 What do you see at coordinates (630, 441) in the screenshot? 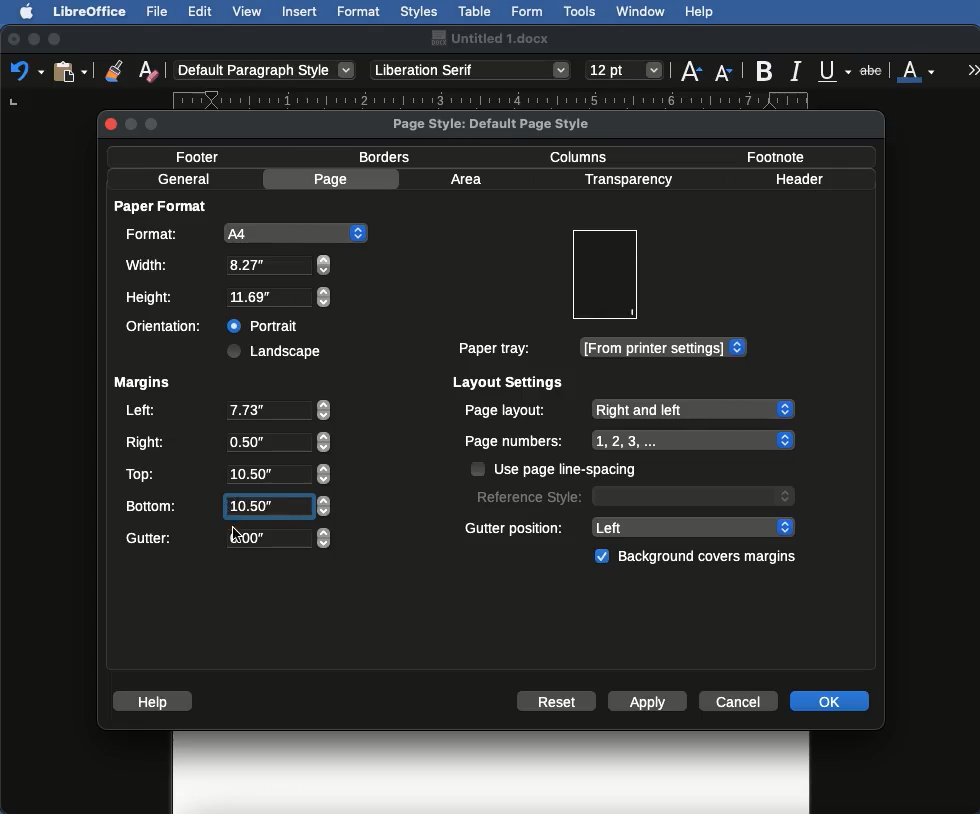
I see `Page numbers` at bounding box center [630, 441].